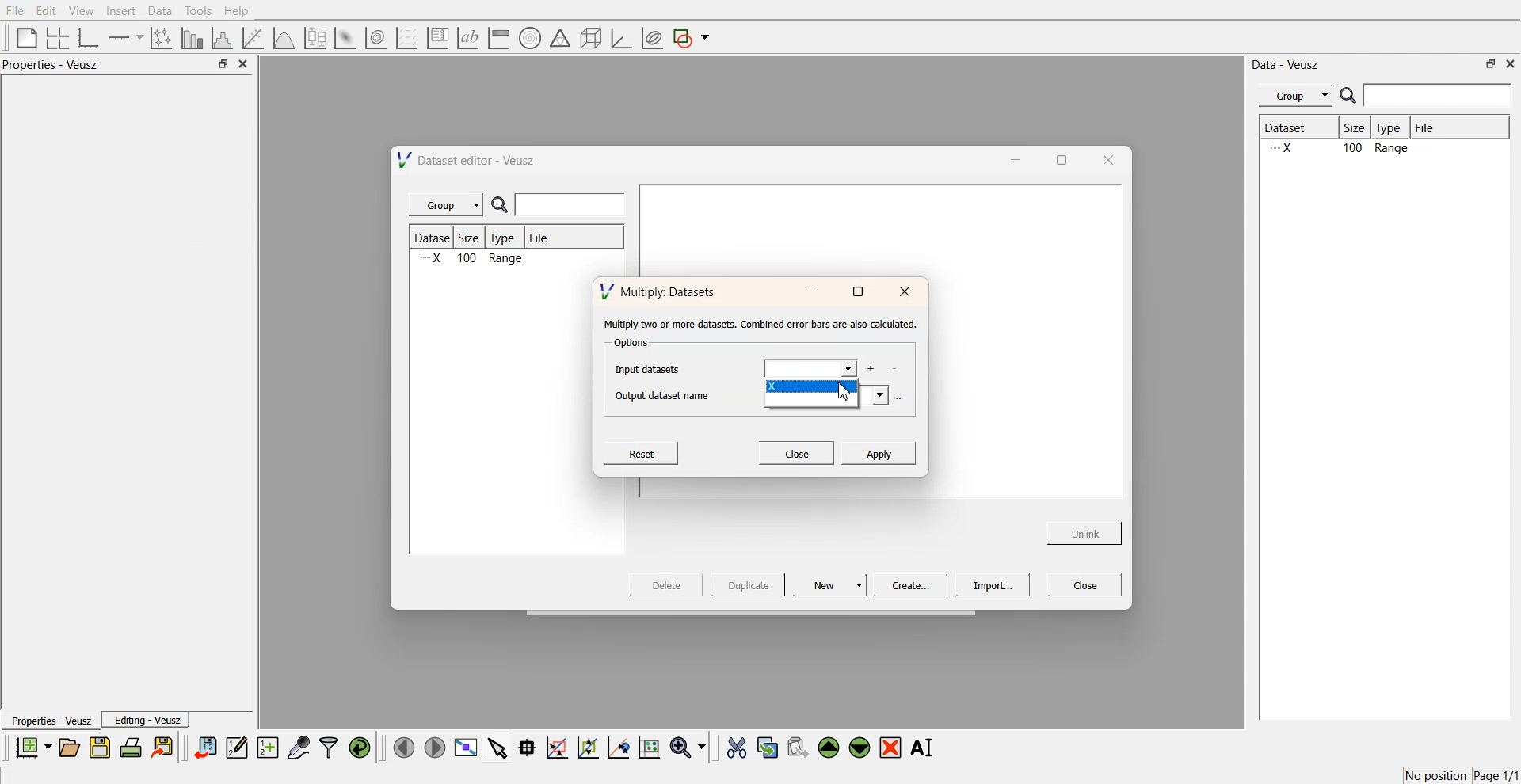 This screenshot has height=784, width=1521. I want to click on View, so click(80, 11).